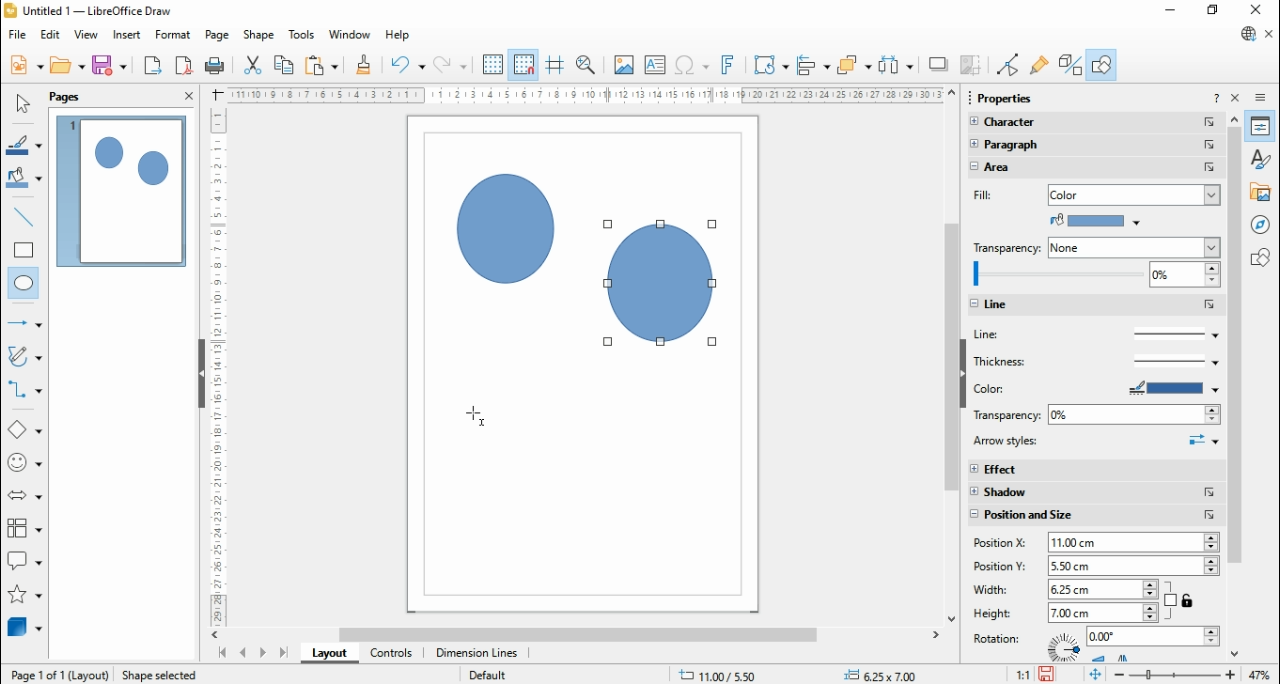 This screenshot has height=684, width=1280. What do you see at coordinates (214, 65) in the screenshot?
I see `print` at bounding box center [214, 65].